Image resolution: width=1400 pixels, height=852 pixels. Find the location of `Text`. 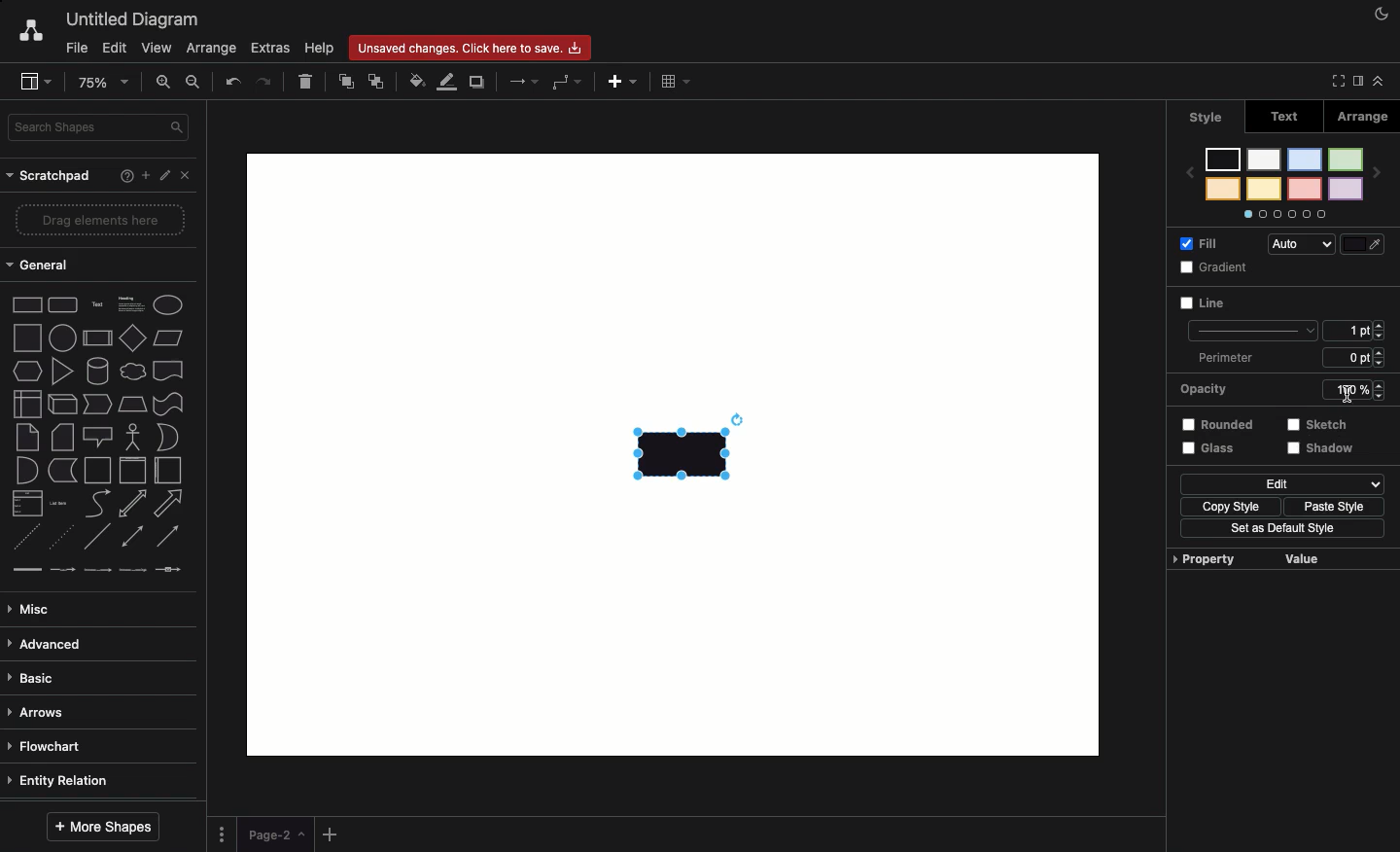

Text is located at coordinates (1280, 117).